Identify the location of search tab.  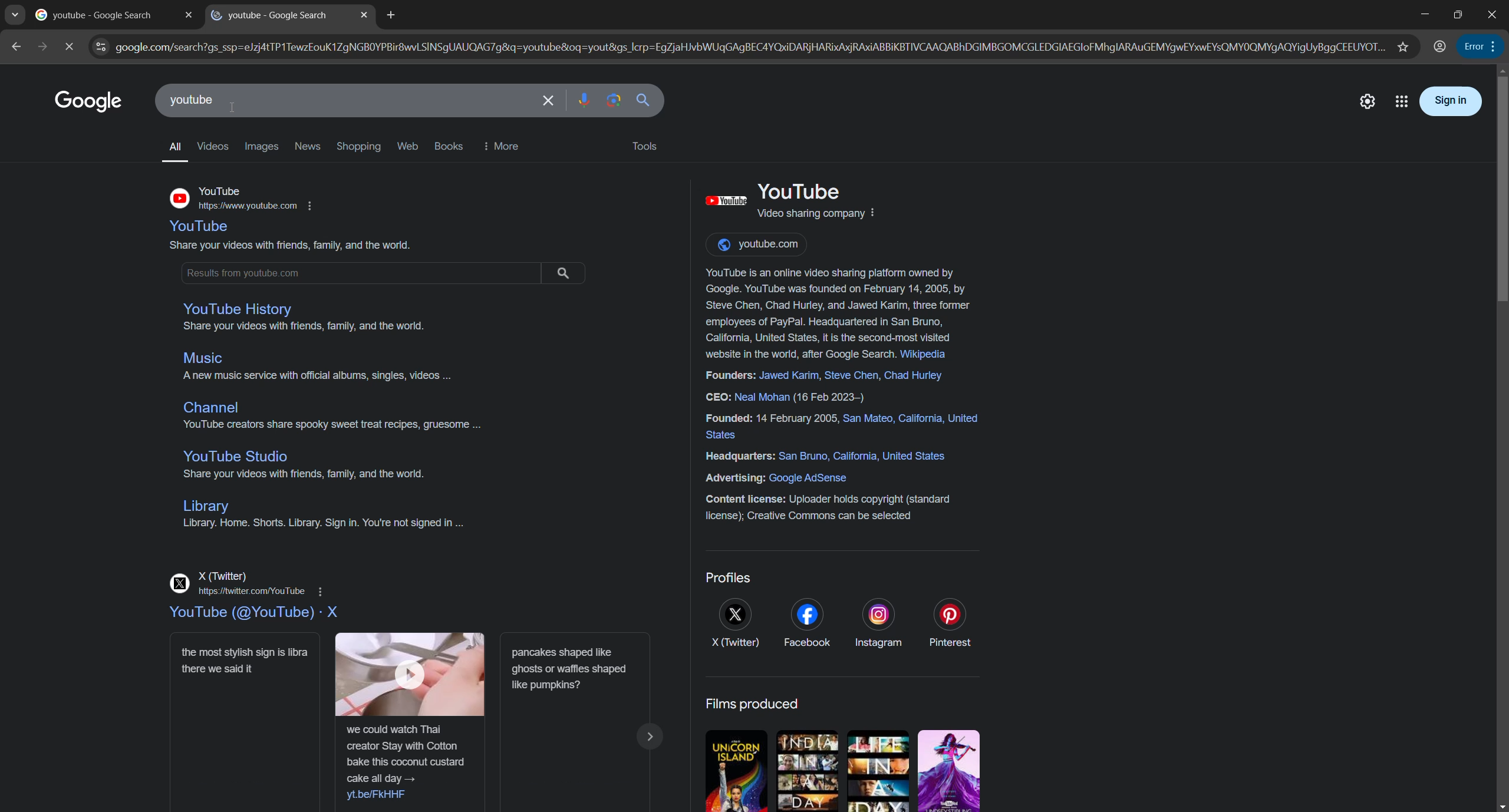
(13, 14).